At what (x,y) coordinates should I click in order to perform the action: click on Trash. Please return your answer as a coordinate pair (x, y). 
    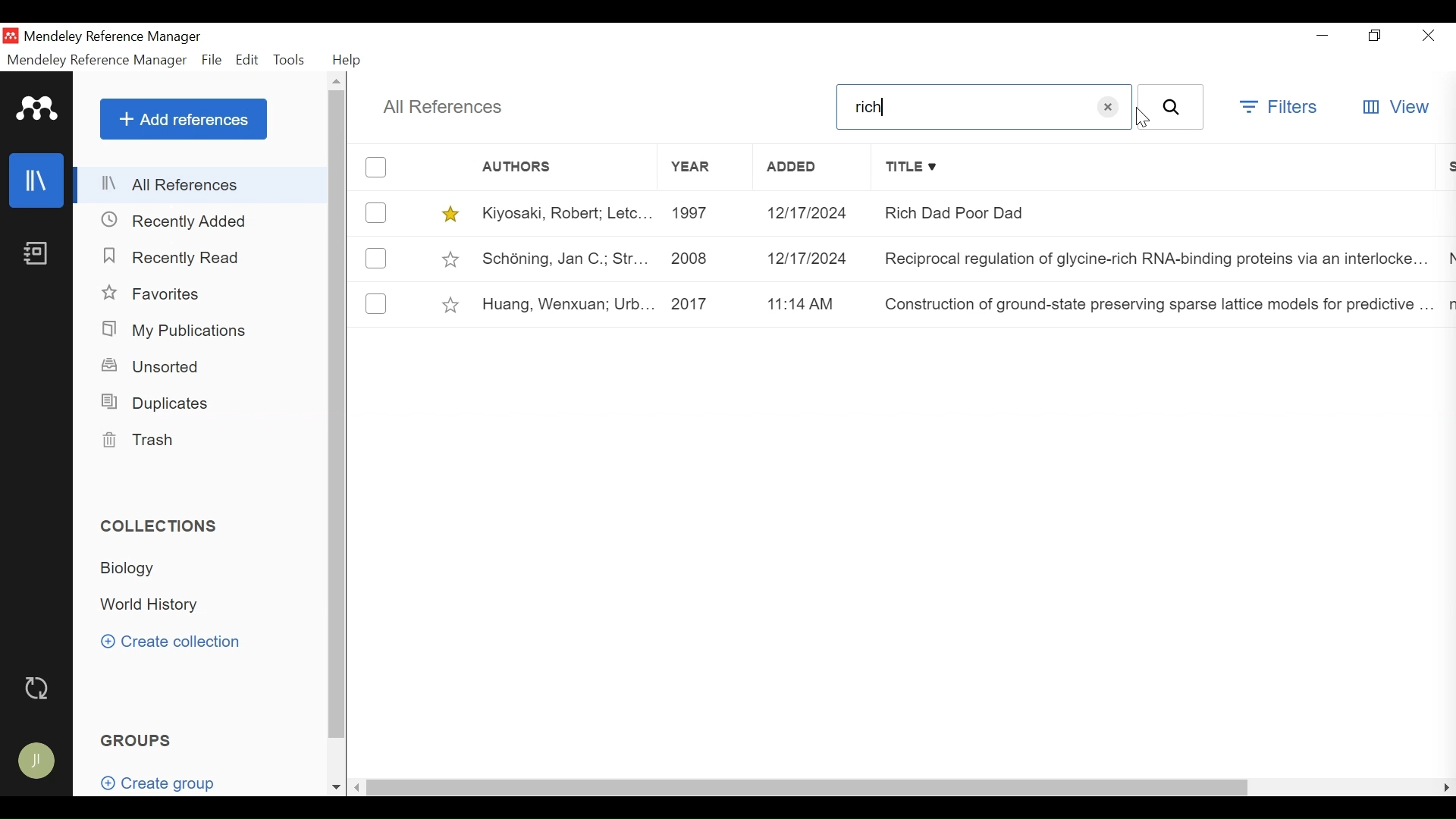
    Looking at the image, I should click on (143, 440).